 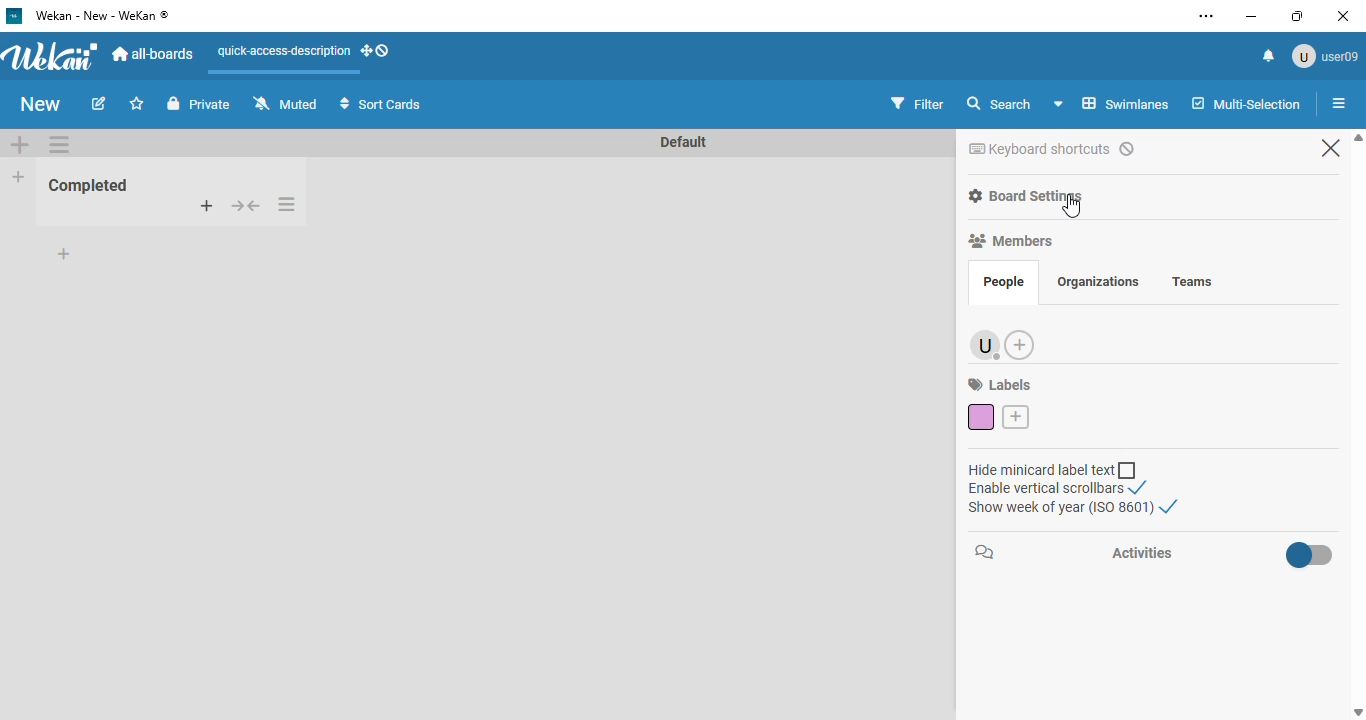 I want to click on minimize, so click(x=1254, y=16).